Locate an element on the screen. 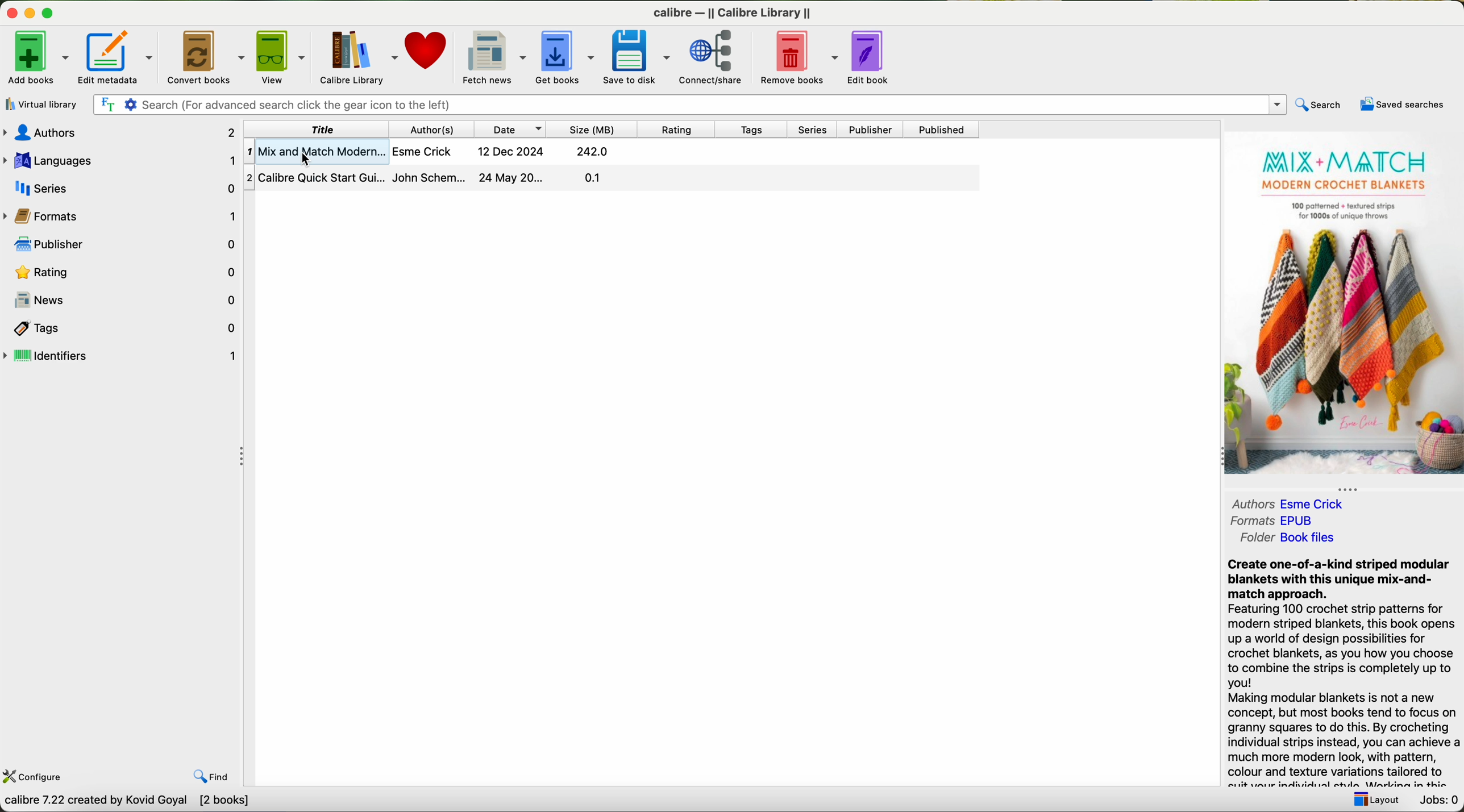 This screenshot has height=812, width=1464. Calibre is located at coordinates (735, 15).